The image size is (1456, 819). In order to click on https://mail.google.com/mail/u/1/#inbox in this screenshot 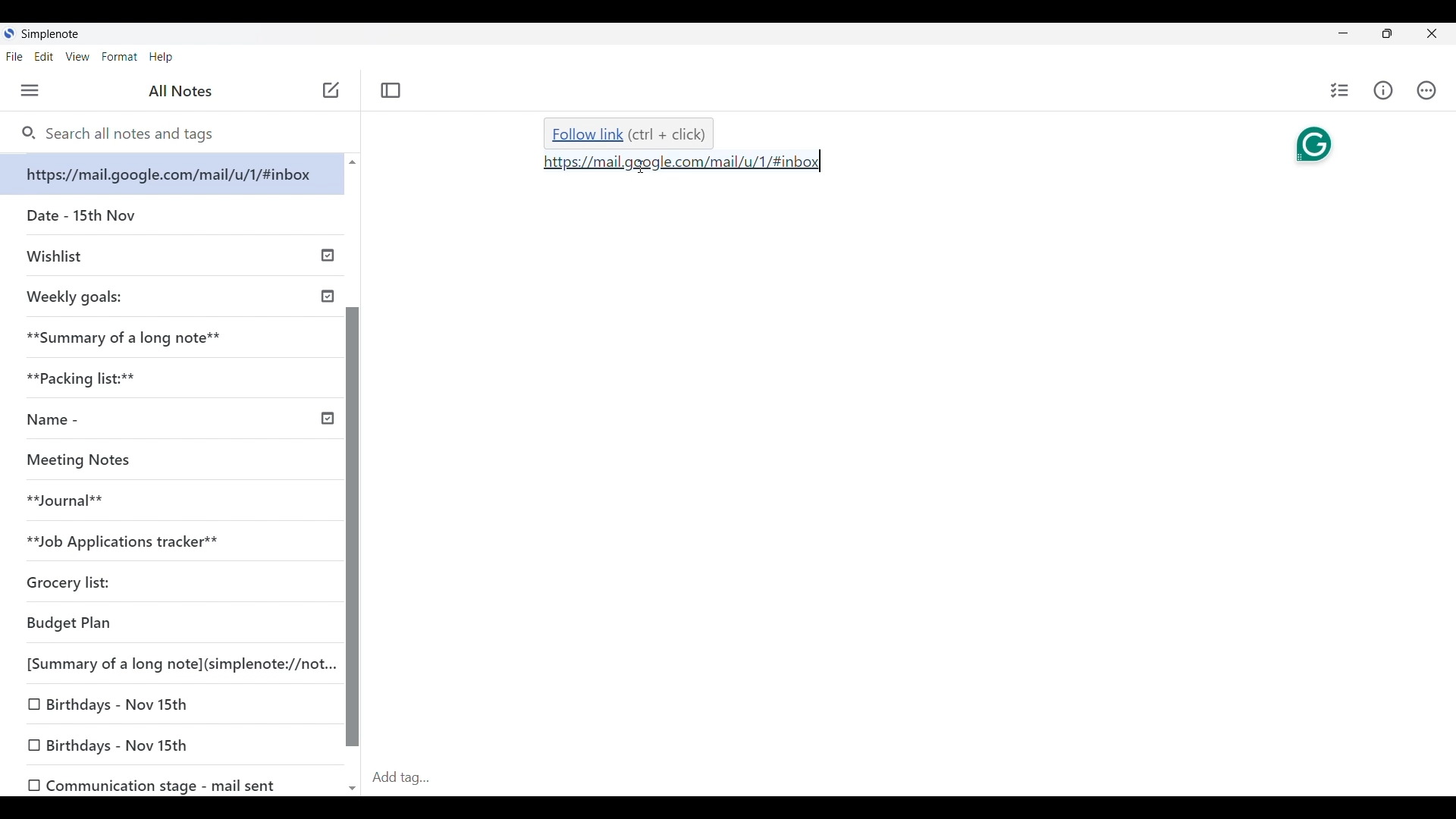, I will do `click(171, 174)`.